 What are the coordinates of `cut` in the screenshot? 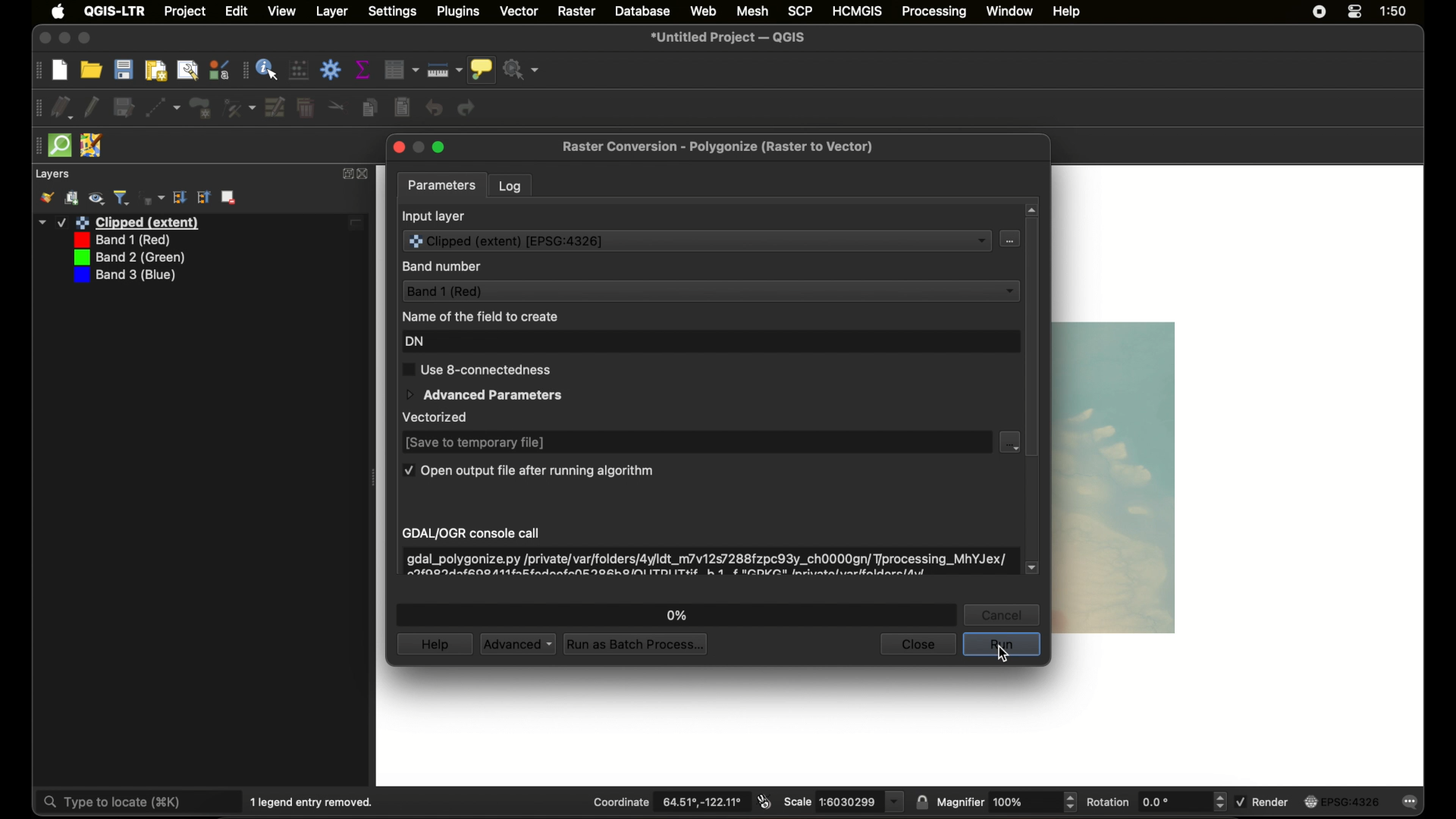 It's located at (337, 105).